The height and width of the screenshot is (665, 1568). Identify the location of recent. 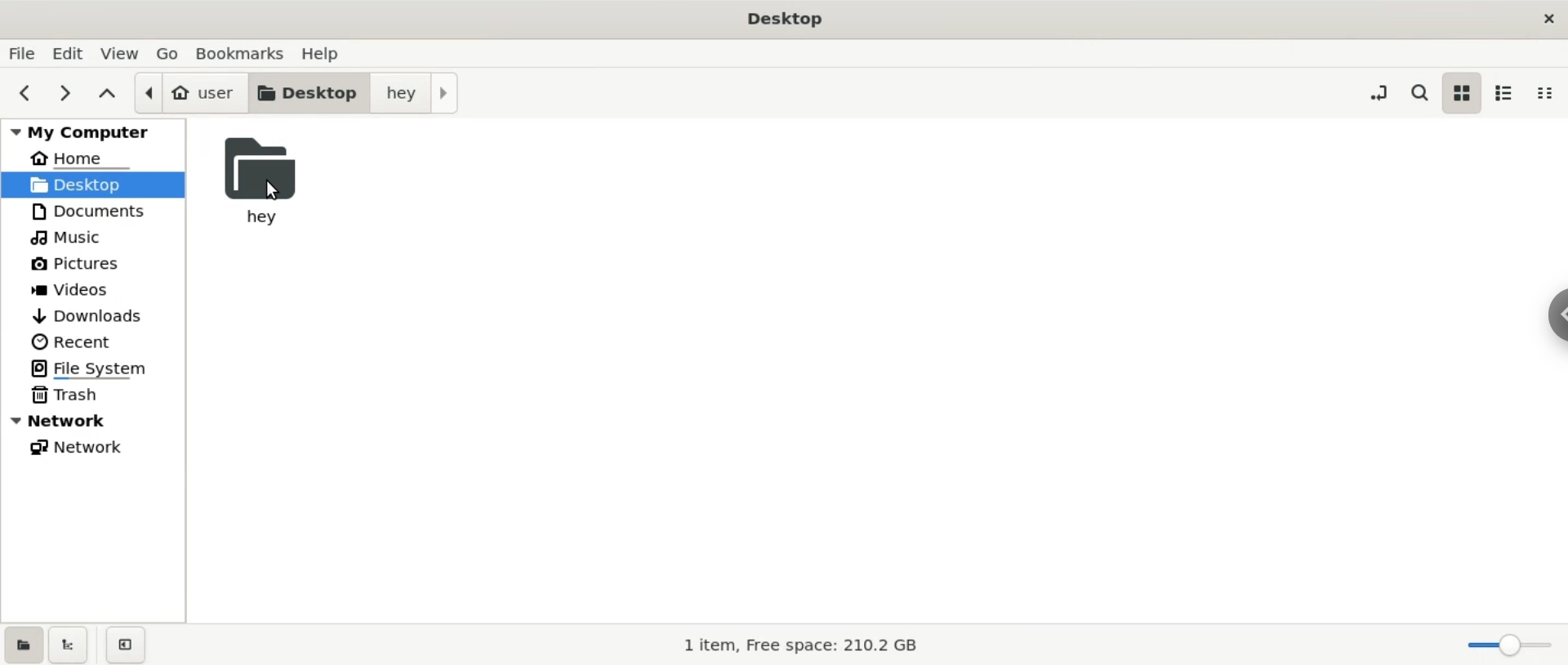
(100, 340).